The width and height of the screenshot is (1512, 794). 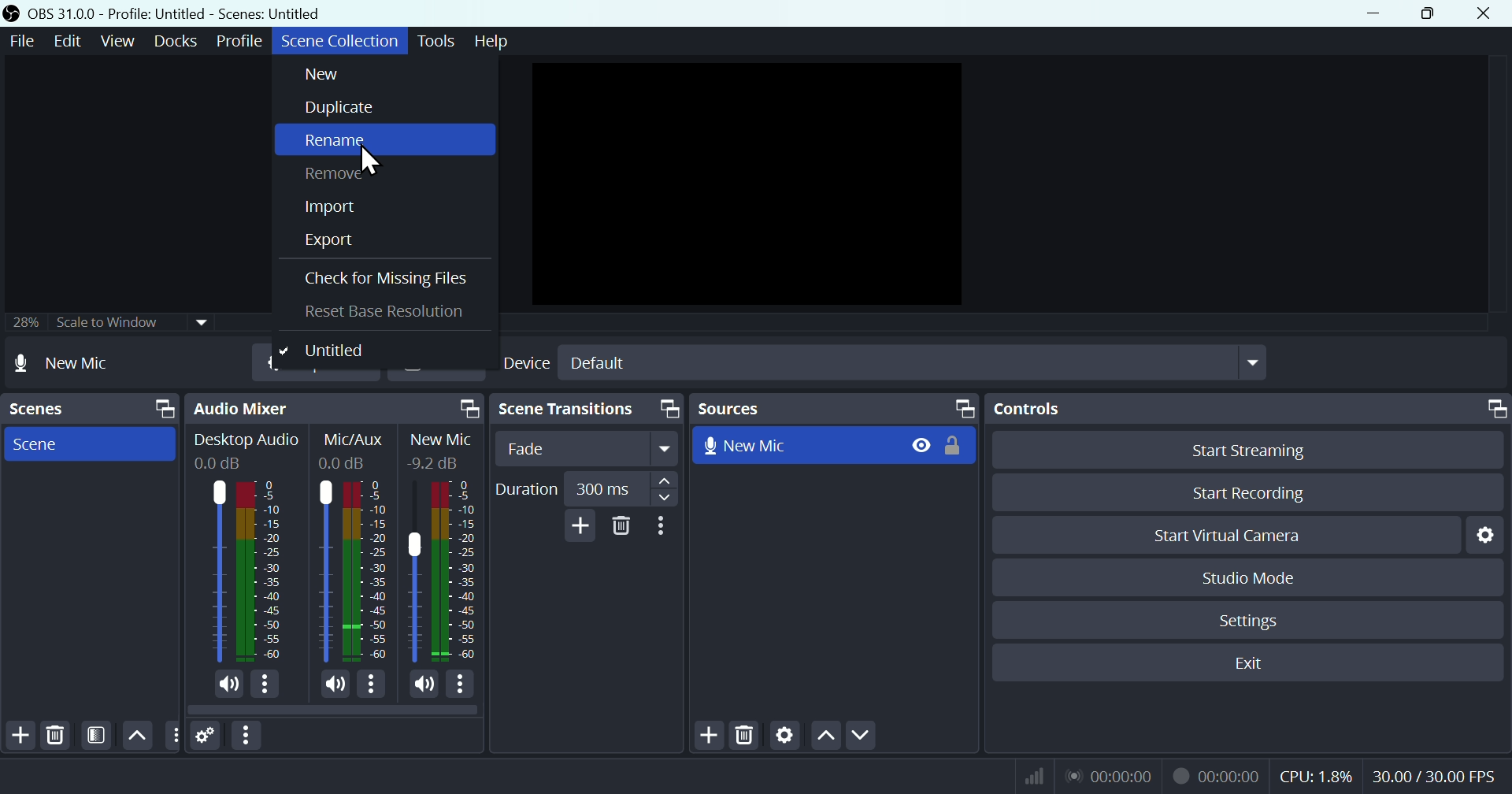 I want to click on Scenes, so click(x=89, y=409).